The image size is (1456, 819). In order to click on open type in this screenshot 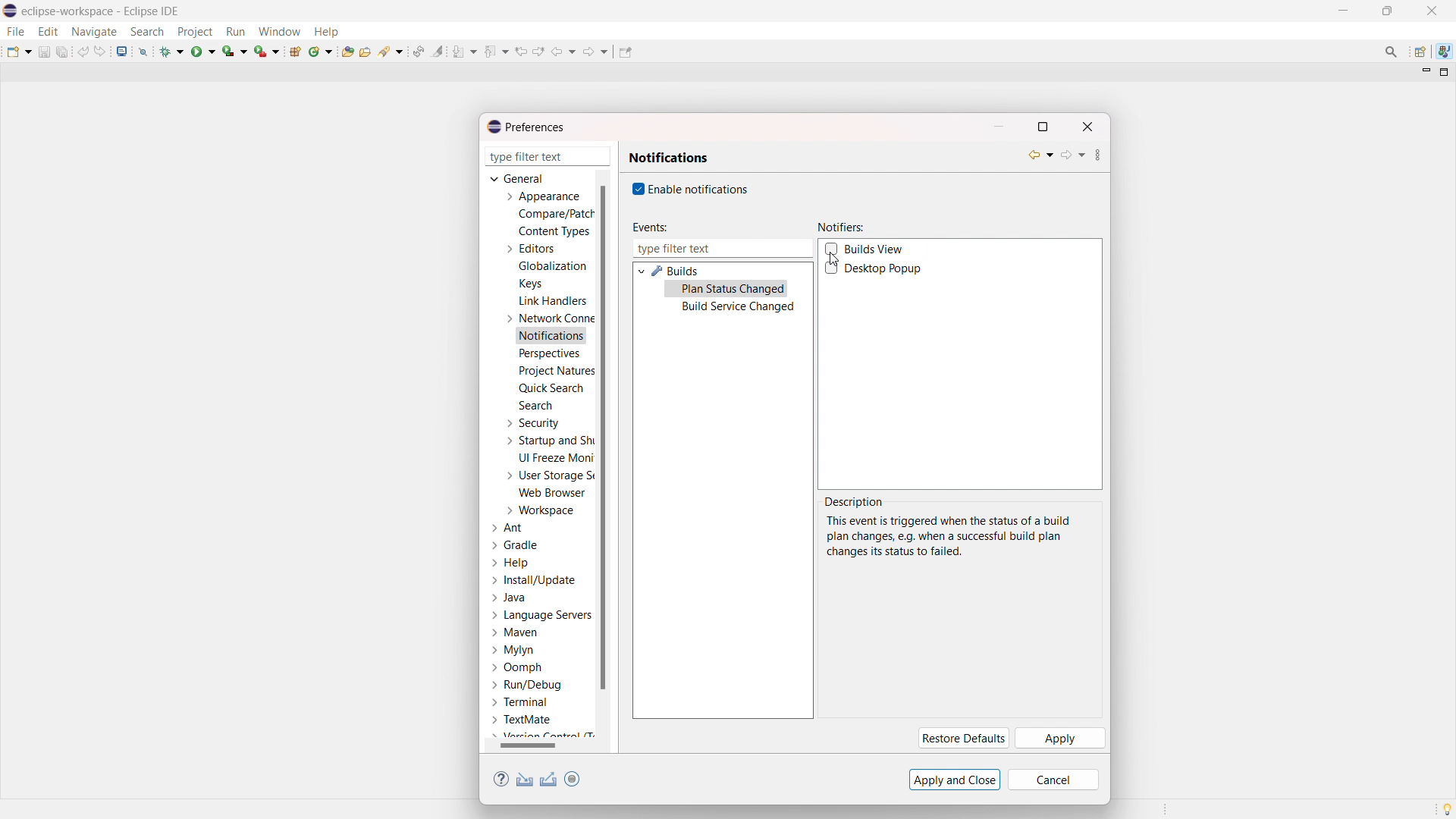, I will do `click(347, 50)`.